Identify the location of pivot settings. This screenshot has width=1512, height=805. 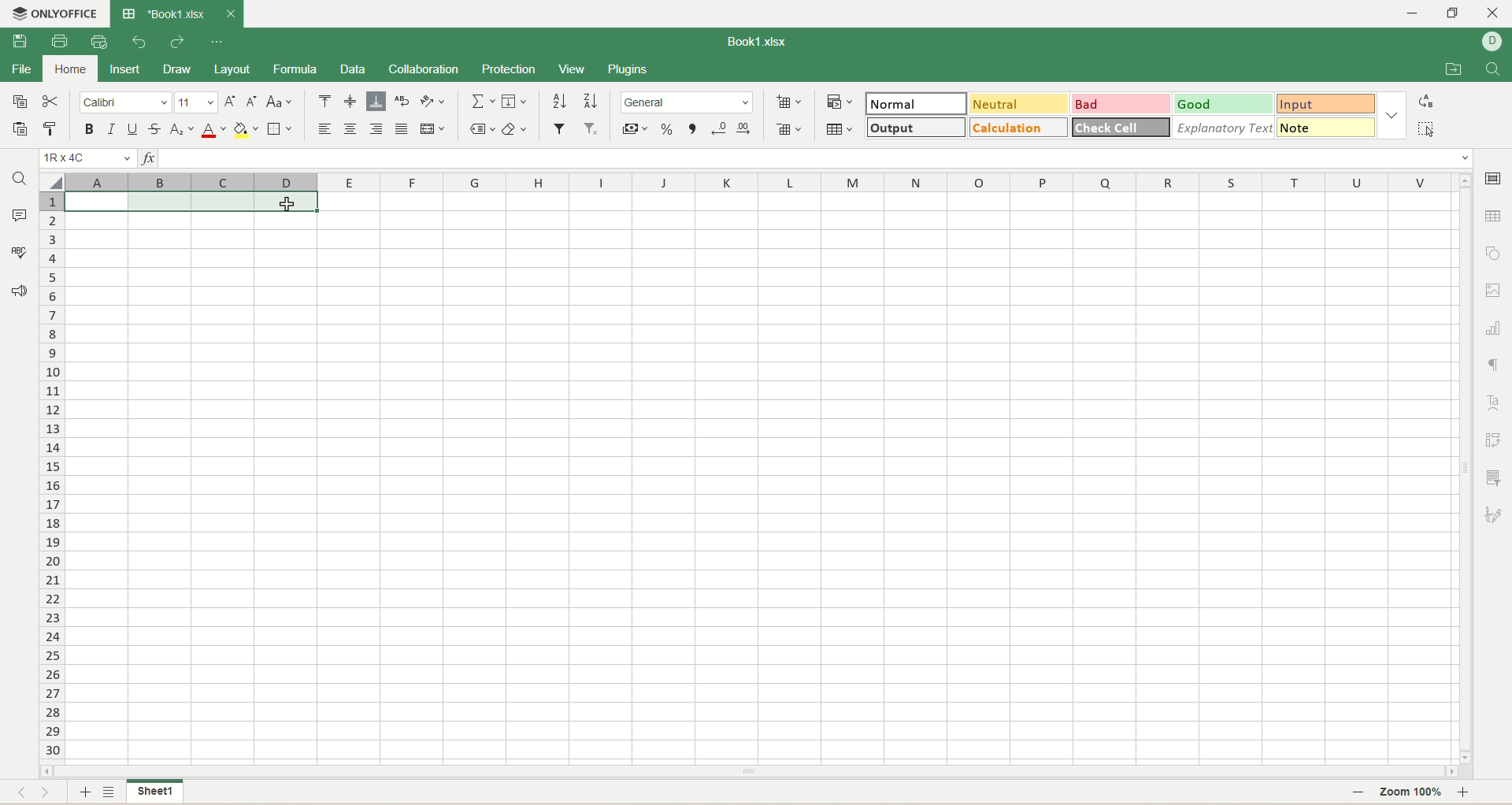
(1495, 440).